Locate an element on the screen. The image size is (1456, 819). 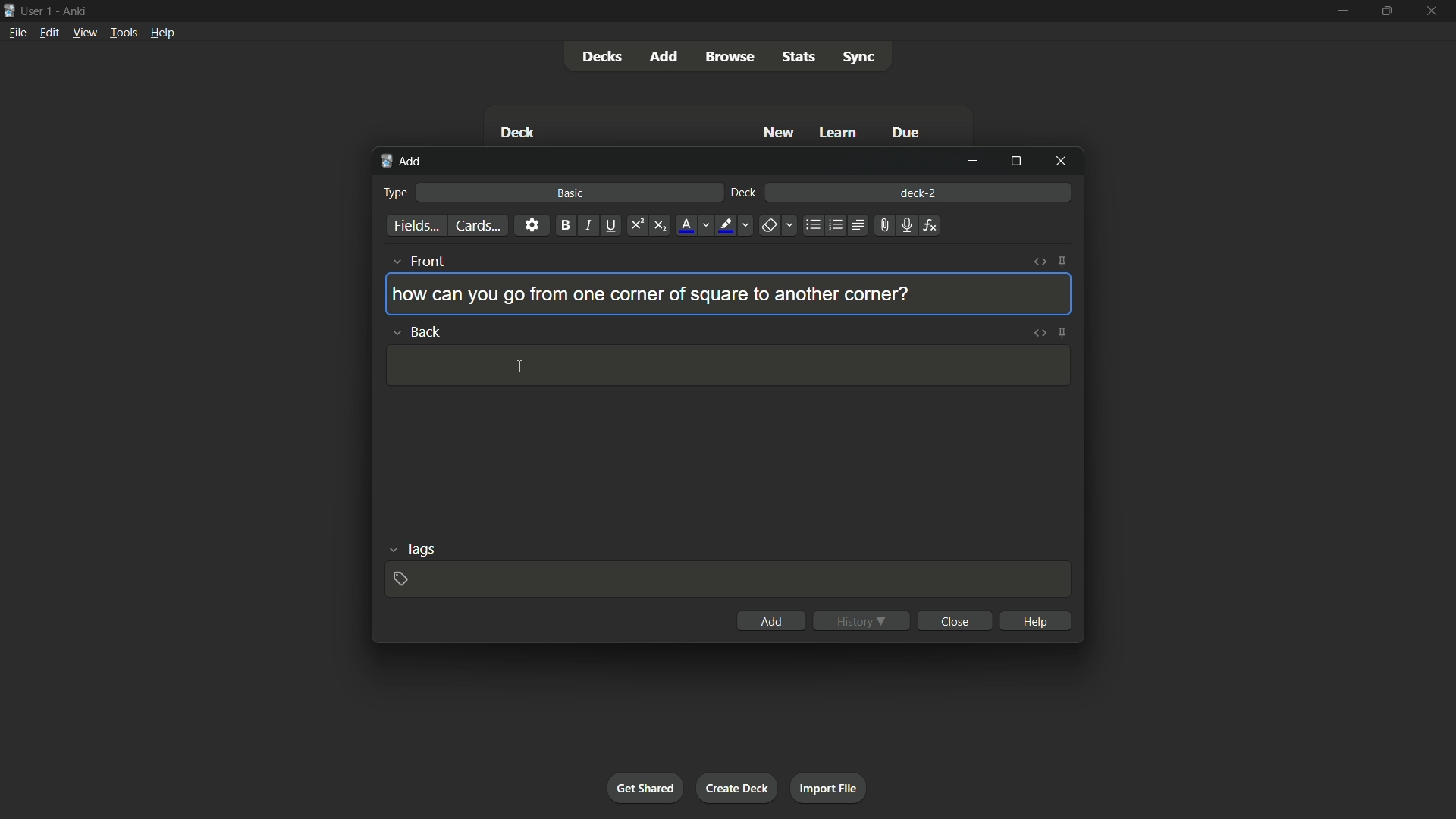
bold is located at coordinates (564, 225).